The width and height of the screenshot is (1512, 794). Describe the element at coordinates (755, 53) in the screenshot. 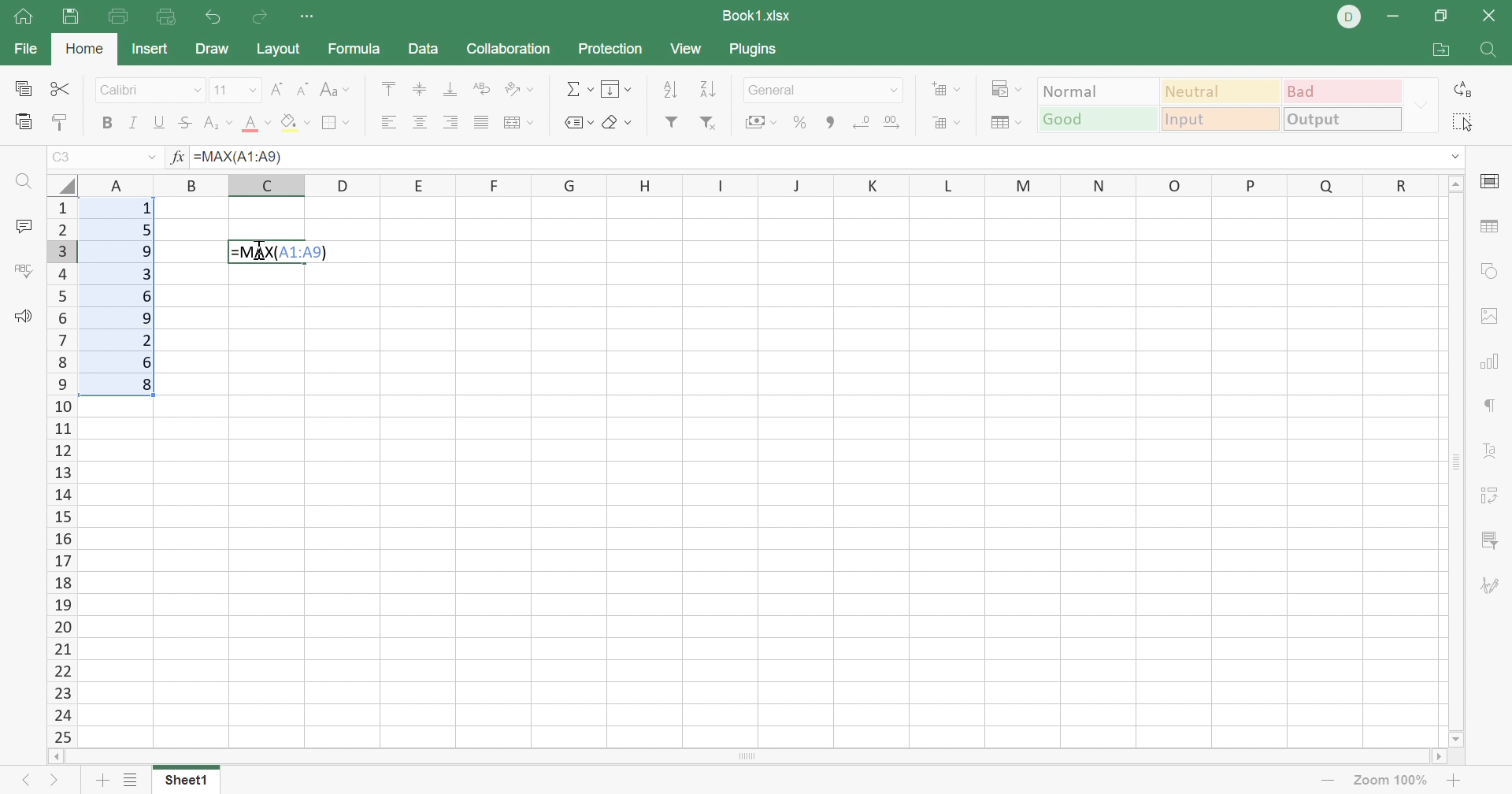

I see `Plugins` at that location.